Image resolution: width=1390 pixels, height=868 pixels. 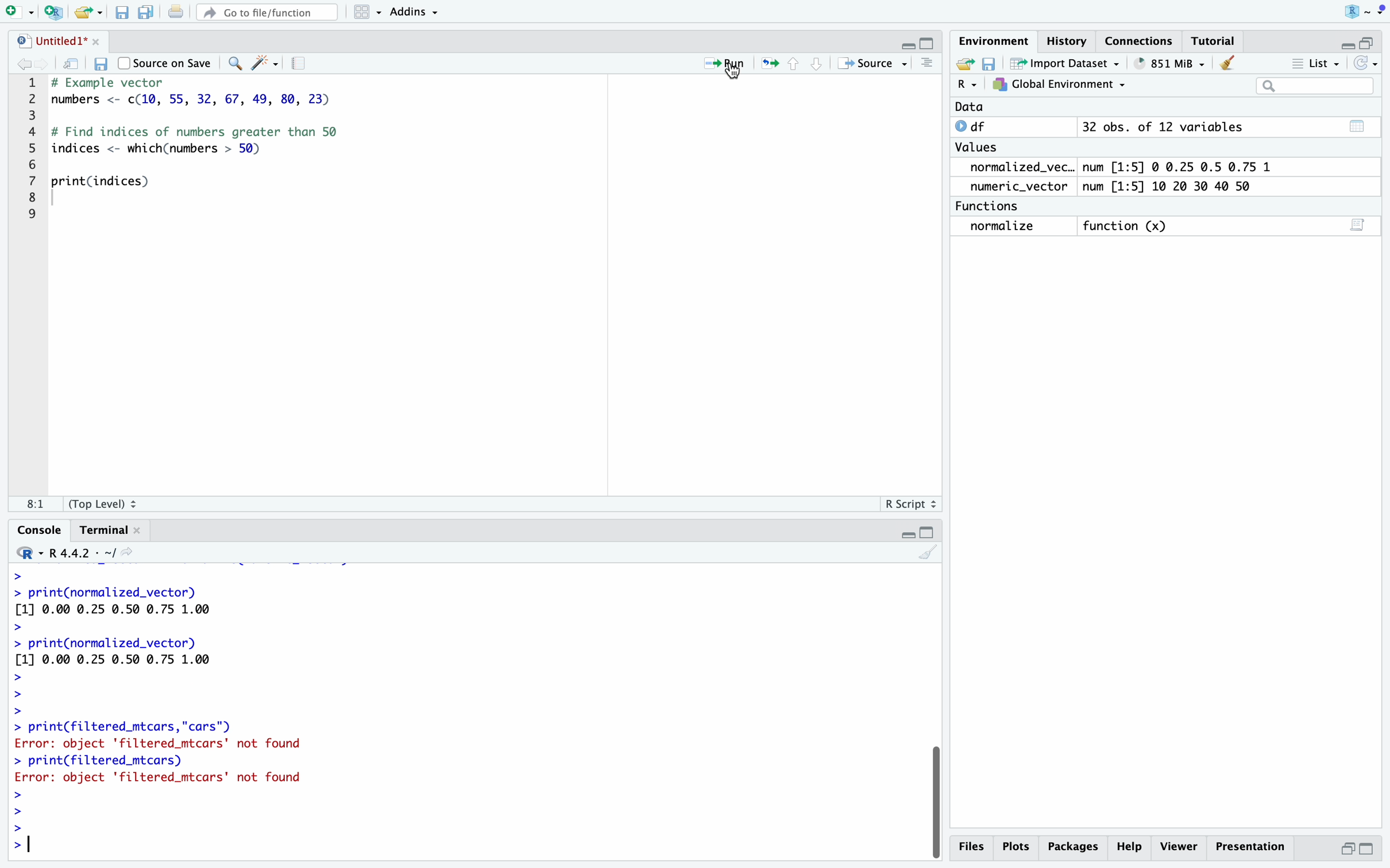 What do you see at coordinates (793, 63) in the screenshot?
I see `go to previous section` at bounding box center [793, 63].